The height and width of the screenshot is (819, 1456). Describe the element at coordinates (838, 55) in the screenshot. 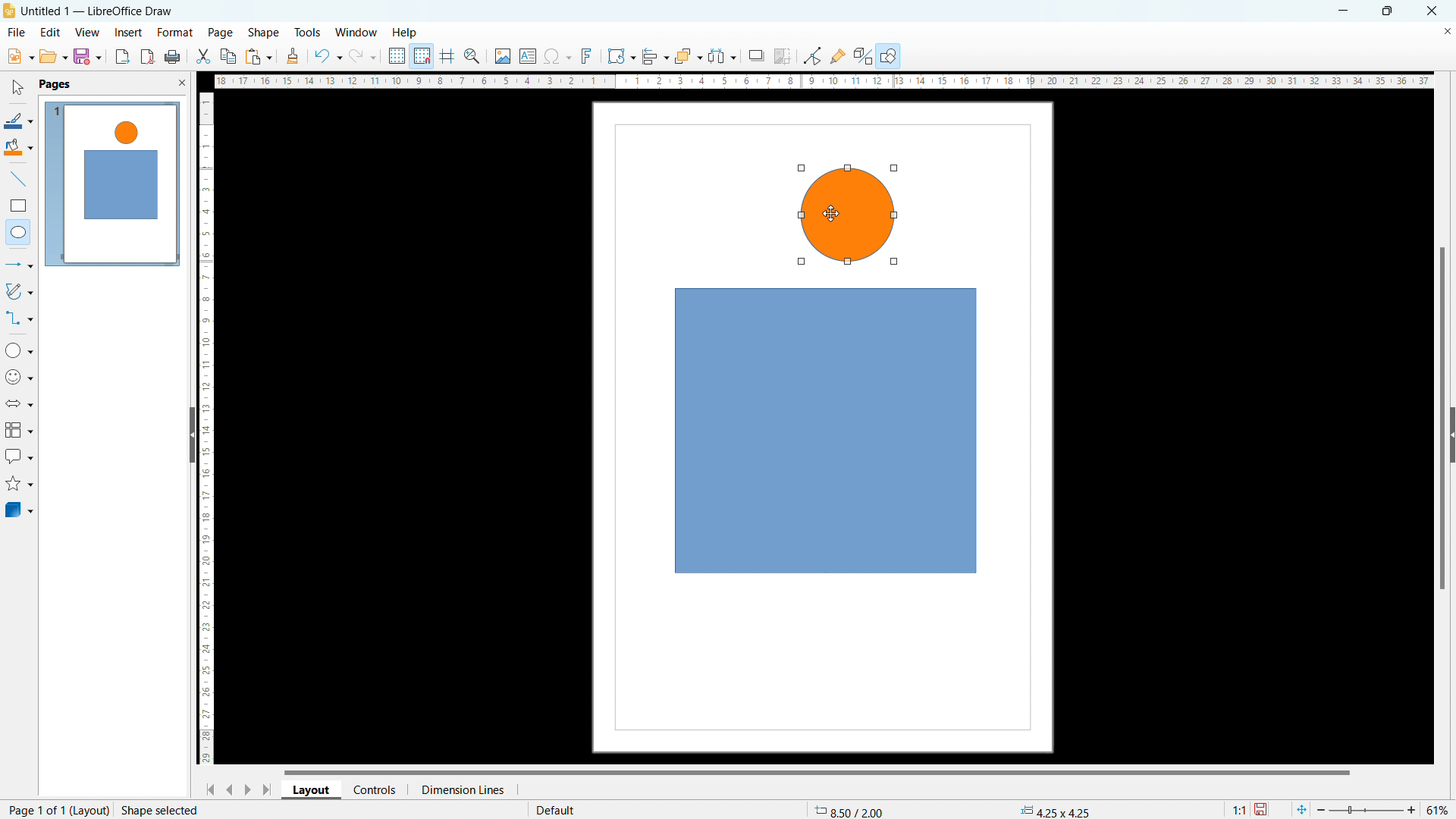

I see `show gluepoint functions` at that location.